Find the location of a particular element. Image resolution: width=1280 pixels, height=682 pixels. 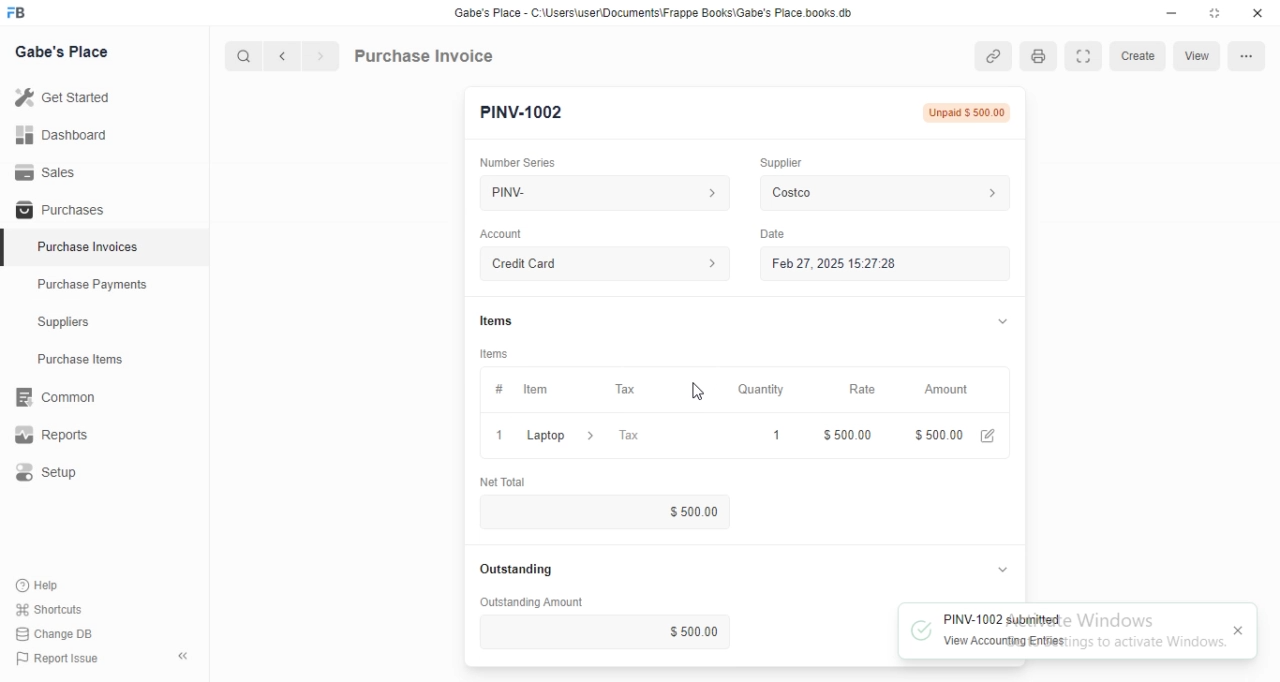

Open print view is located at coordinates (1037, 56).